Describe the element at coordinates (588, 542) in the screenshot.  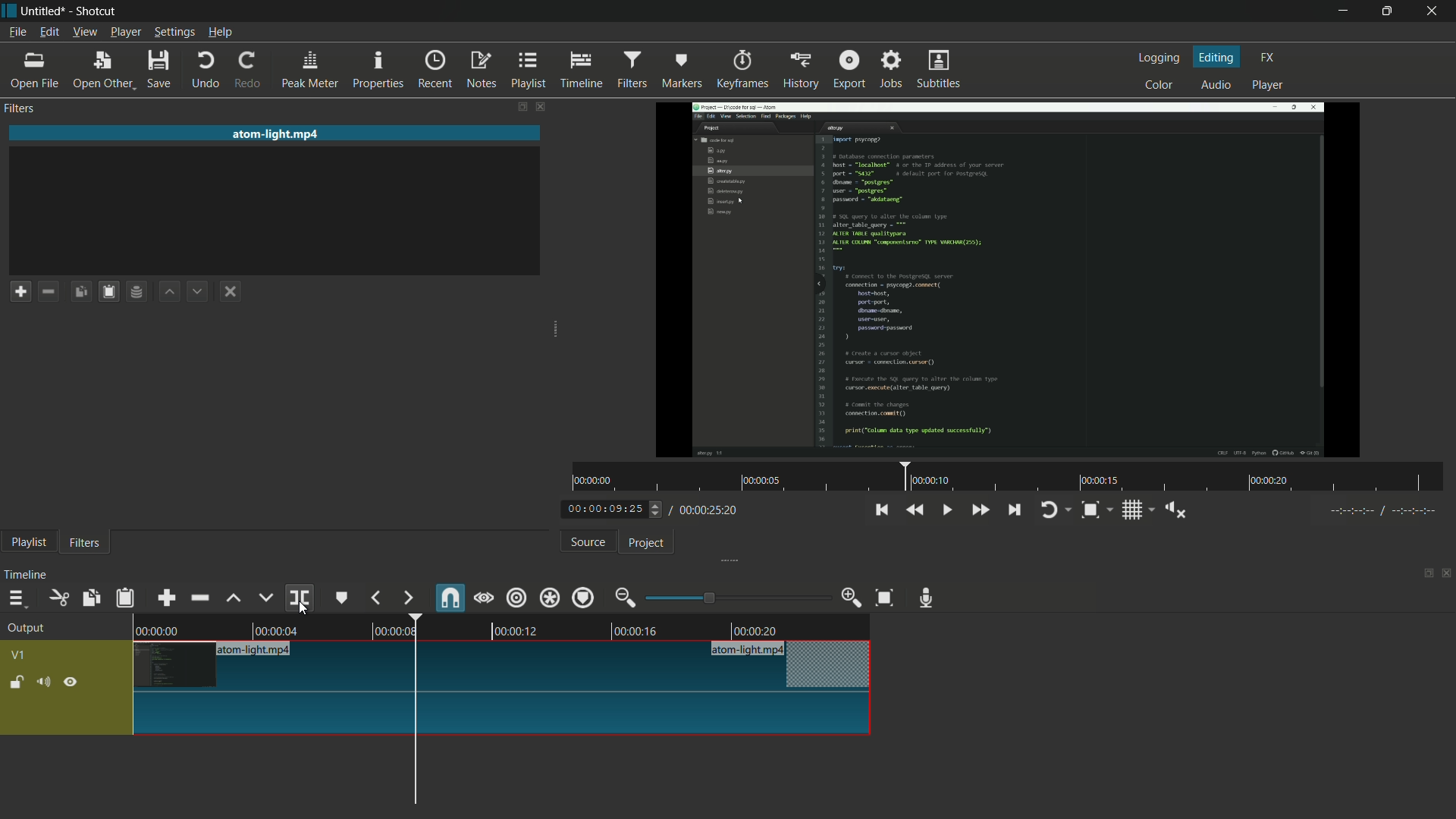
I see `source` at that location.